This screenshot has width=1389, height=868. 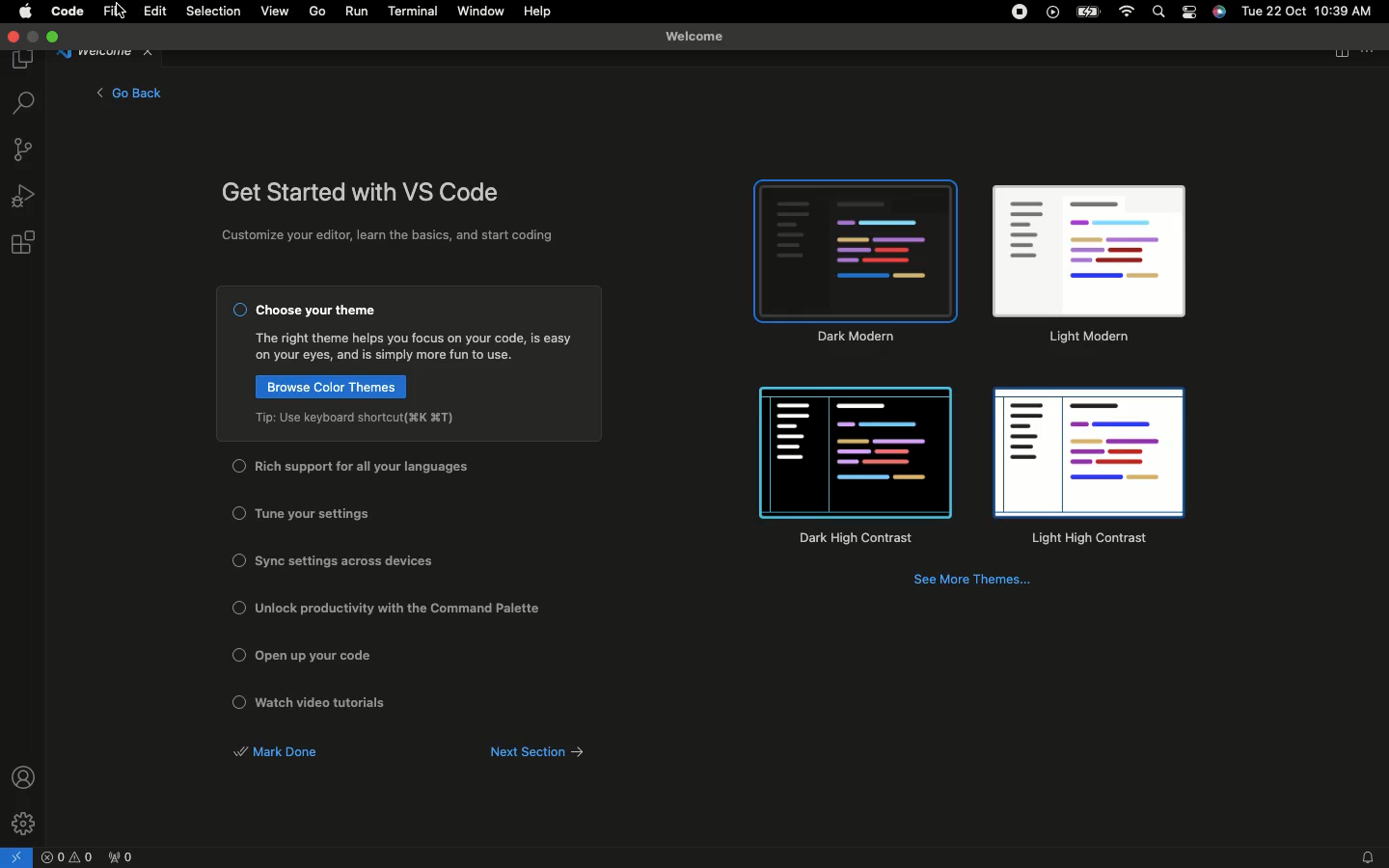 What do you see at coordinates (69, 858) in the screenshot?
I see `Problems` at bounding box center [69, 858].